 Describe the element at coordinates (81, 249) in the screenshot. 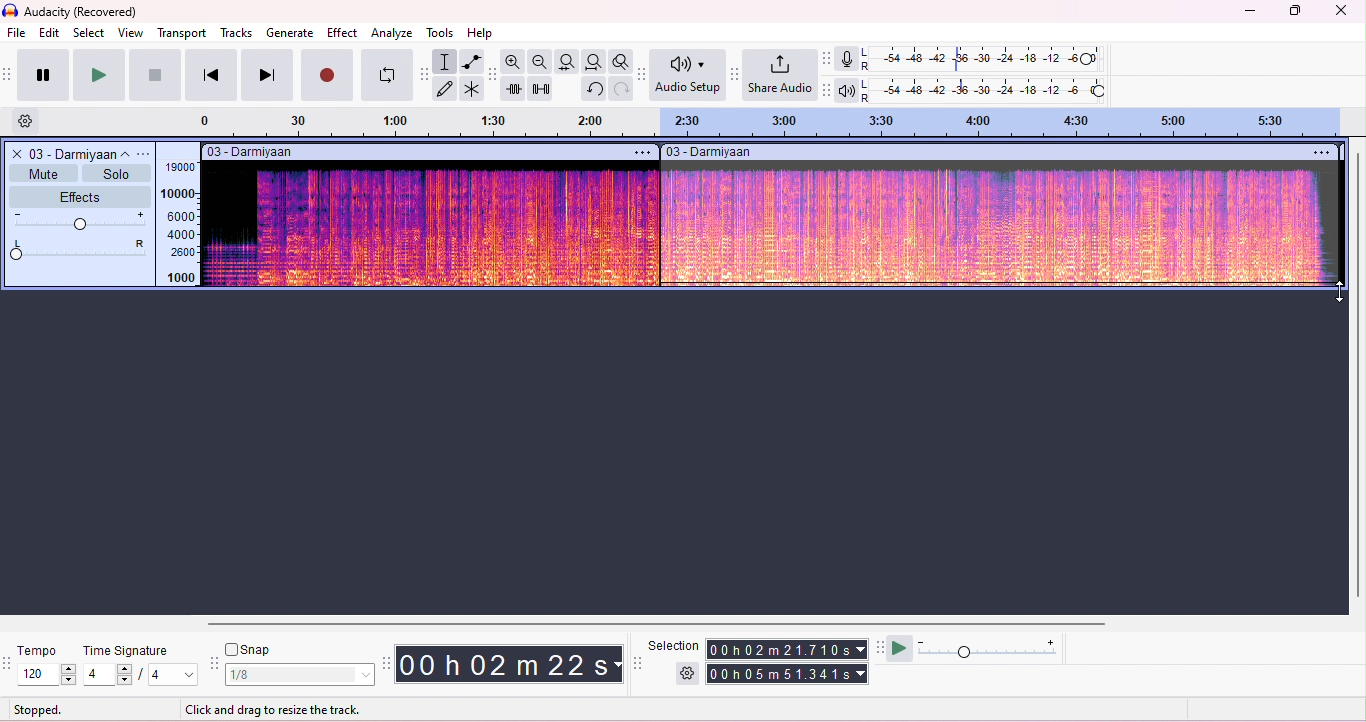

I see `pan` at that location.